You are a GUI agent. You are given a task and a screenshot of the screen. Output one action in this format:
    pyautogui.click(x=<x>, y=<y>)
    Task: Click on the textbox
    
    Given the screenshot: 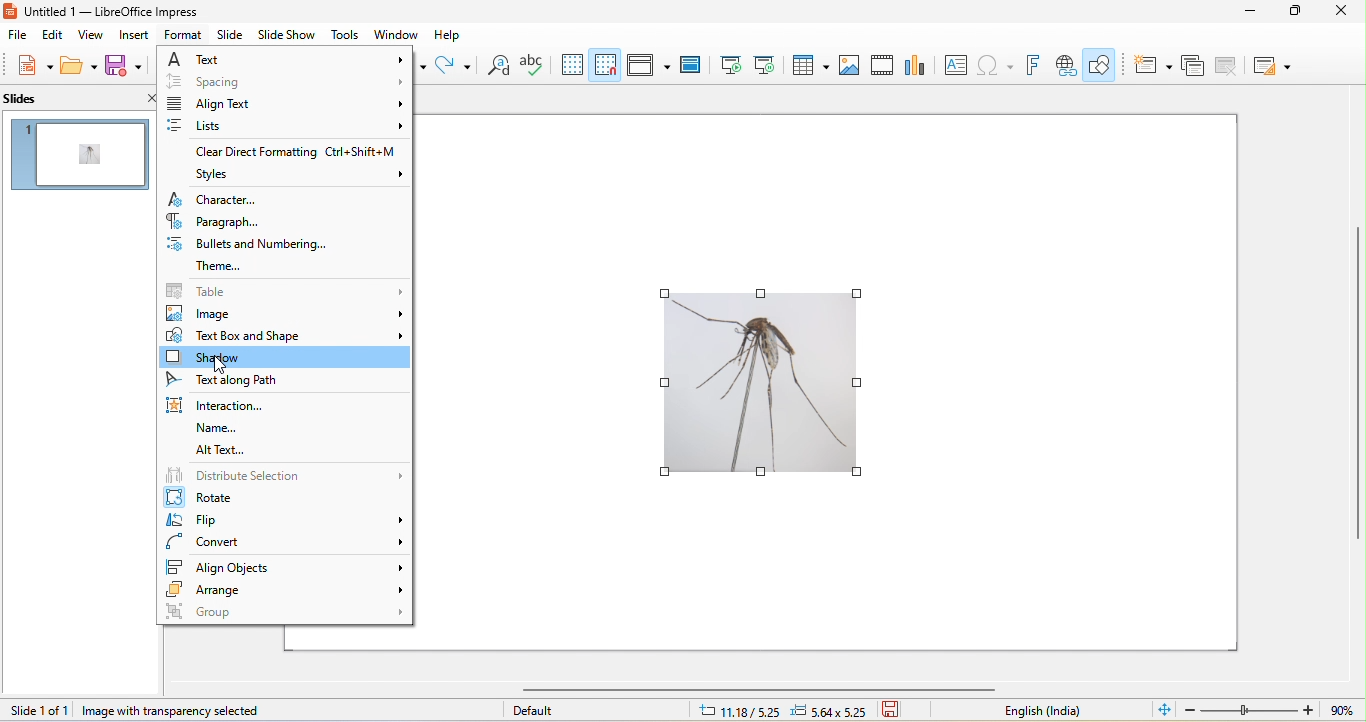 What is the action you would take?
    pyautogui.click(x=954, y=64)
    